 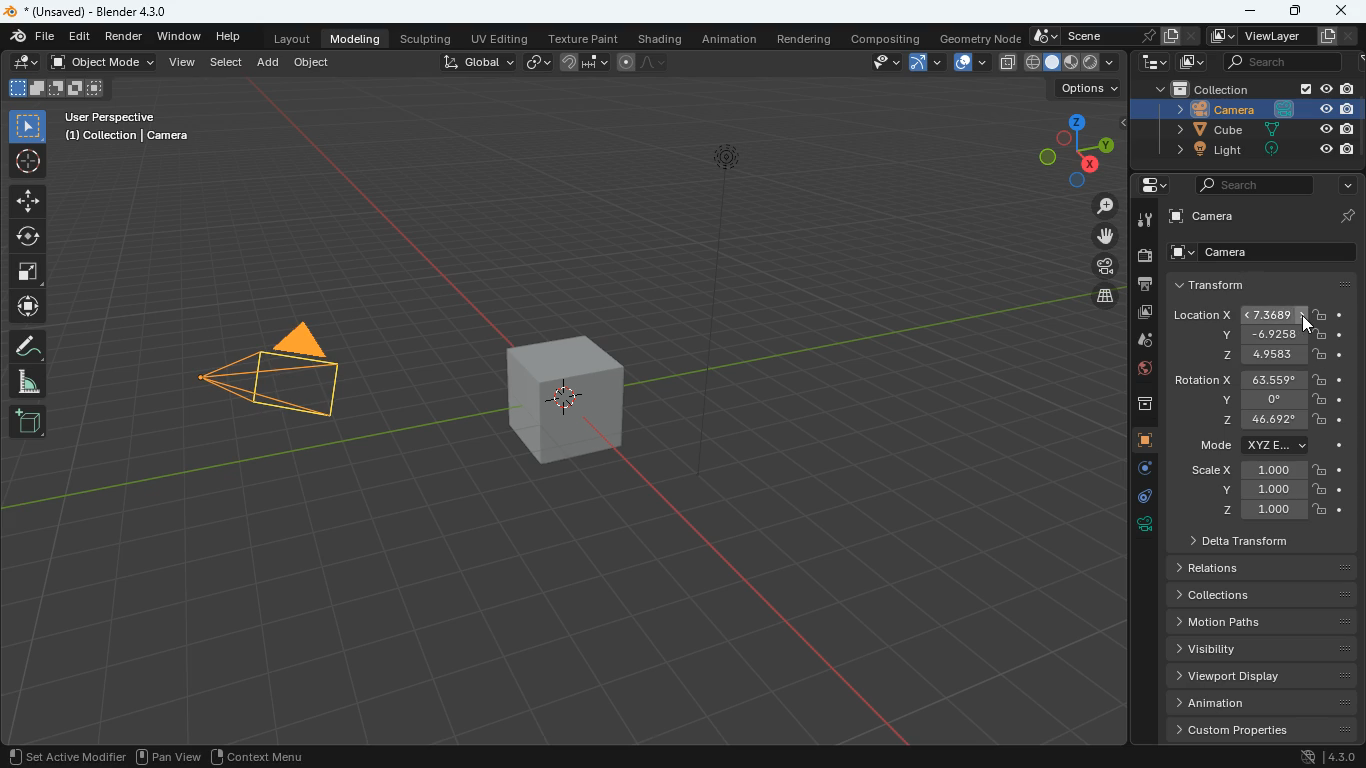 I want to click on compositing, so click(x=890, y=37).